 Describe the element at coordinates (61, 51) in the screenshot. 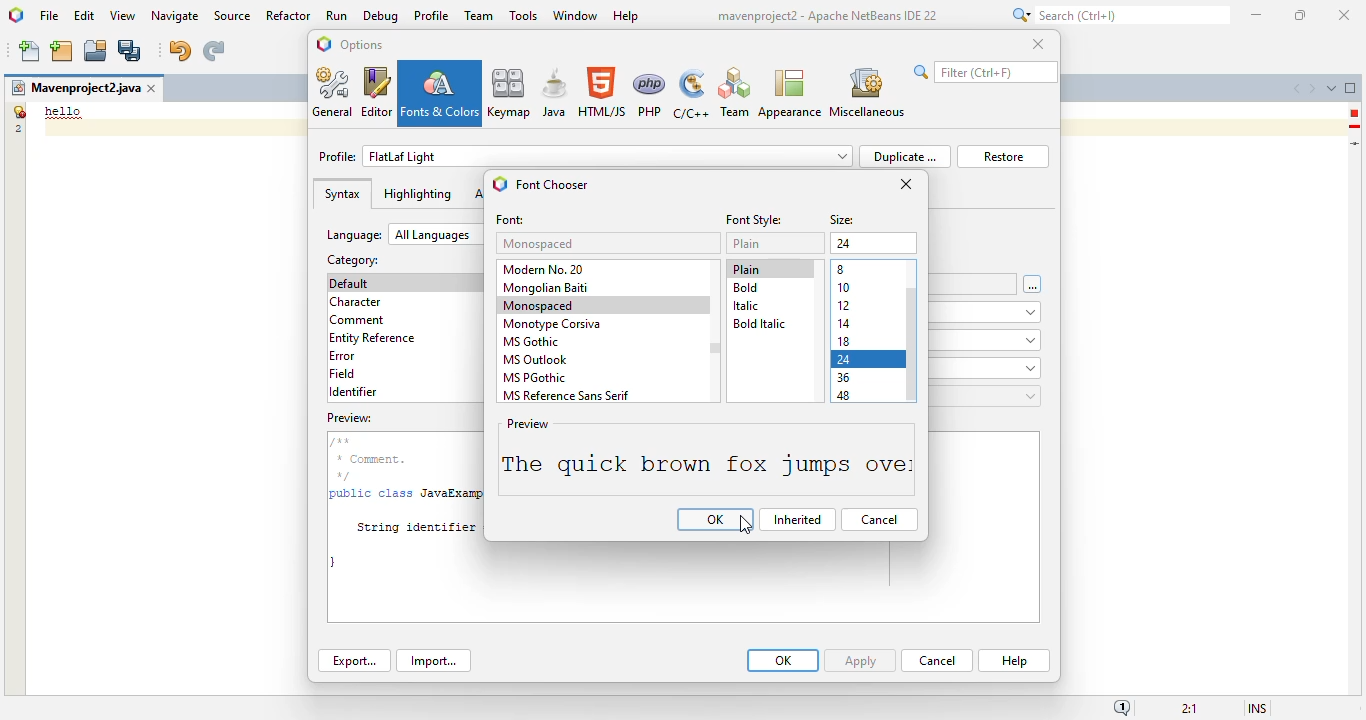

I see `new project` at that location.